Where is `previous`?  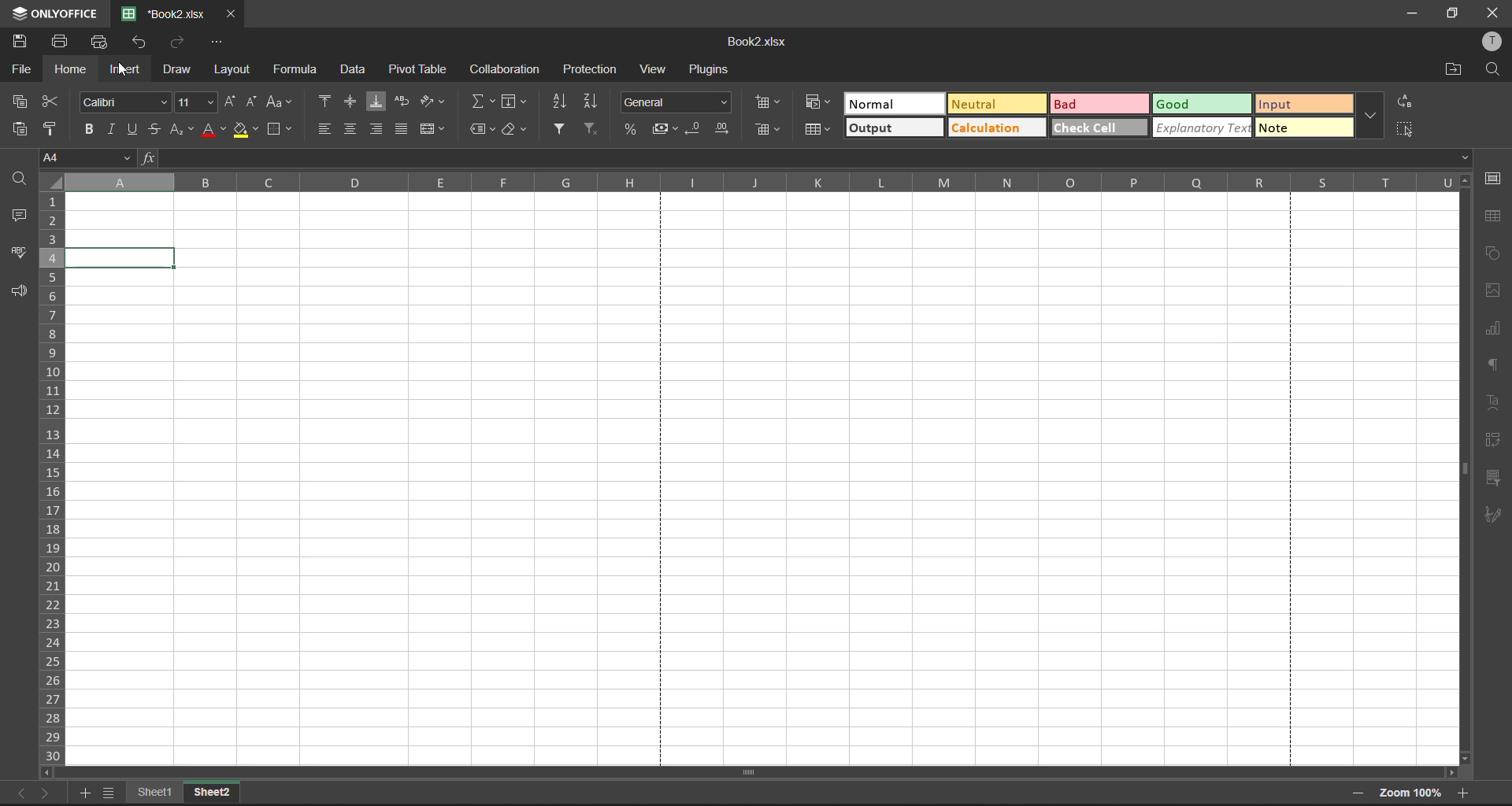
previous is located at coordinates (18, 794).